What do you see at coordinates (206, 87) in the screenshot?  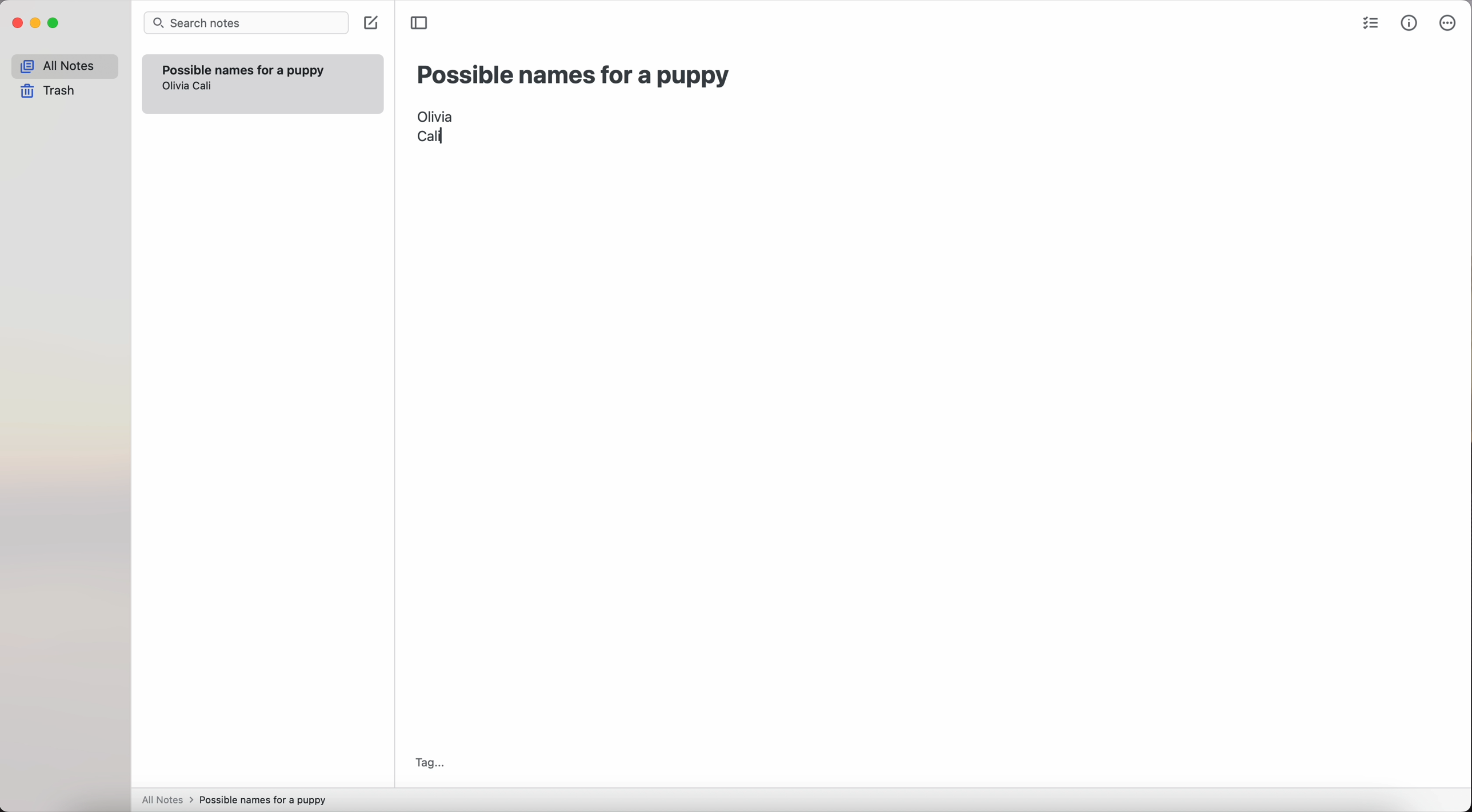 I see `Cali` at bounding box center [206, 87].